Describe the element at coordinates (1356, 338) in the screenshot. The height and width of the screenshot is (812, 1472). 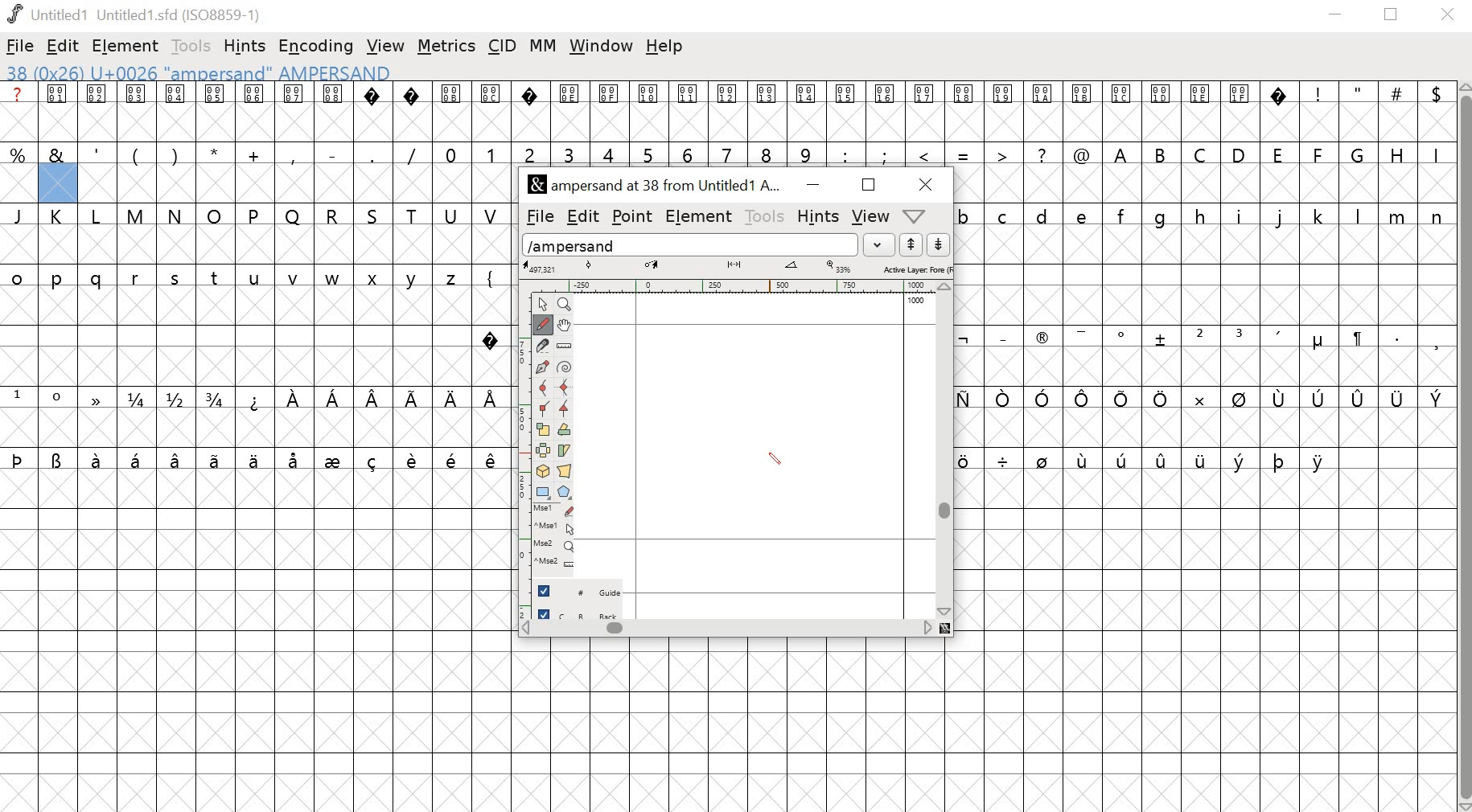
I see `symbol` at that location.